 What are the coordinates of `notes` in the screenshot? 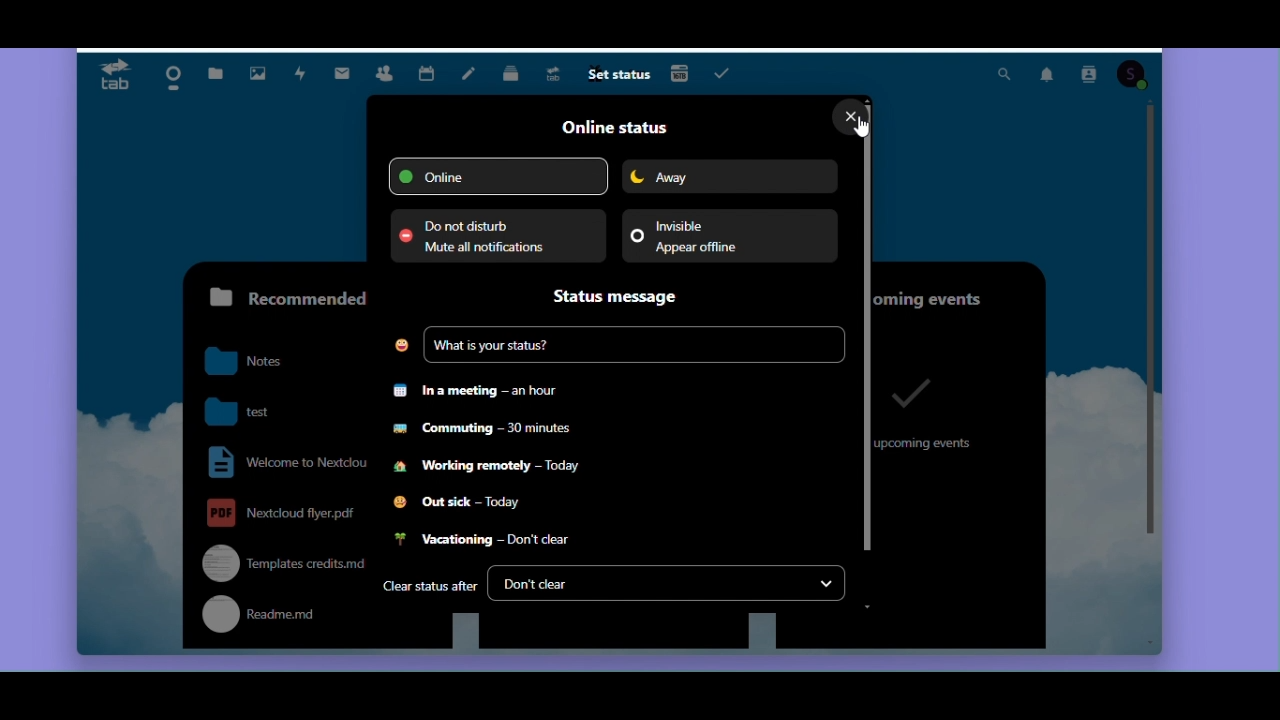 It's located at (259, 362).